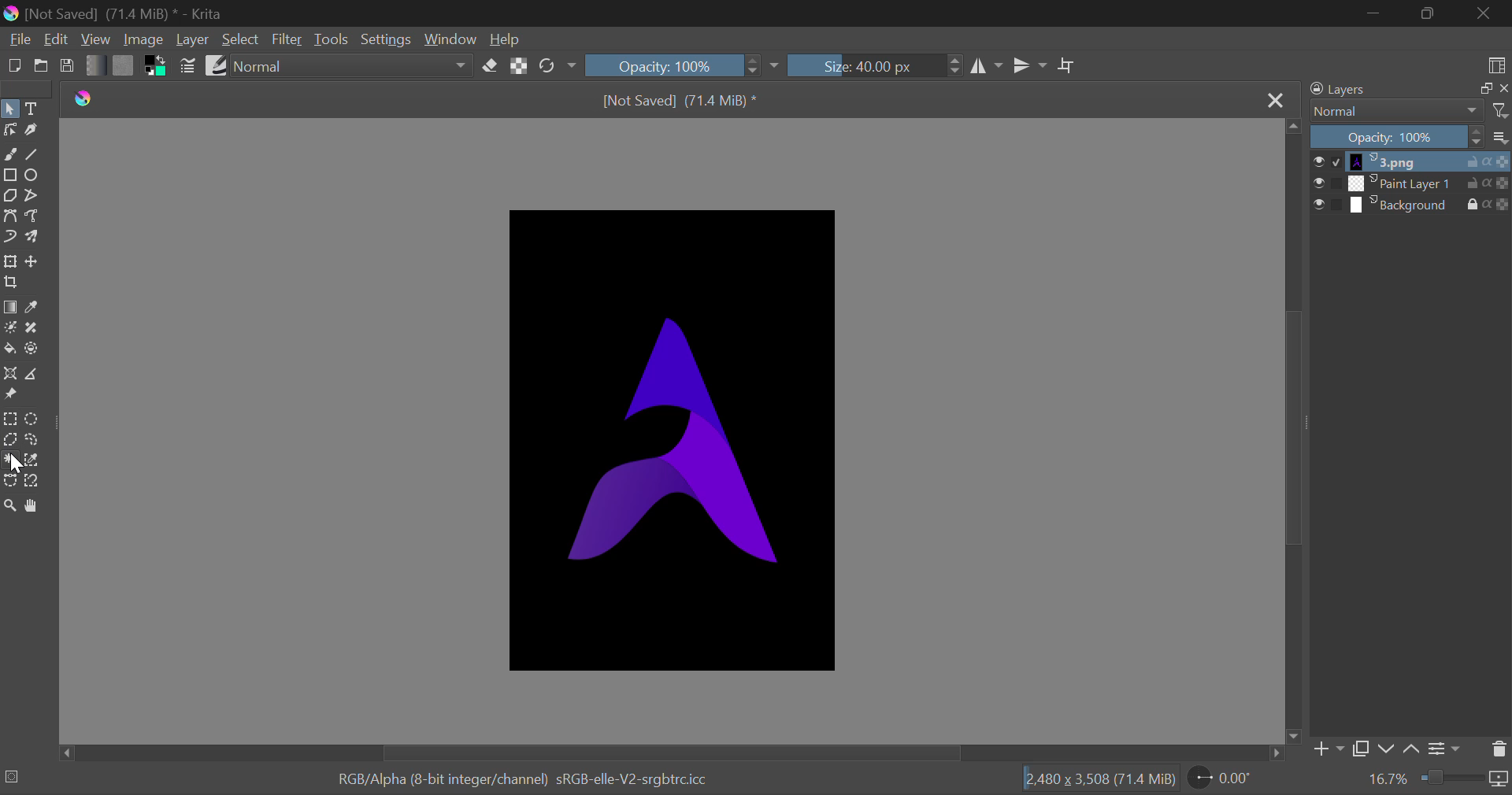 The width and height of the screenshot is (1512, 795). I want to click on Opacity, so click(674, 67).